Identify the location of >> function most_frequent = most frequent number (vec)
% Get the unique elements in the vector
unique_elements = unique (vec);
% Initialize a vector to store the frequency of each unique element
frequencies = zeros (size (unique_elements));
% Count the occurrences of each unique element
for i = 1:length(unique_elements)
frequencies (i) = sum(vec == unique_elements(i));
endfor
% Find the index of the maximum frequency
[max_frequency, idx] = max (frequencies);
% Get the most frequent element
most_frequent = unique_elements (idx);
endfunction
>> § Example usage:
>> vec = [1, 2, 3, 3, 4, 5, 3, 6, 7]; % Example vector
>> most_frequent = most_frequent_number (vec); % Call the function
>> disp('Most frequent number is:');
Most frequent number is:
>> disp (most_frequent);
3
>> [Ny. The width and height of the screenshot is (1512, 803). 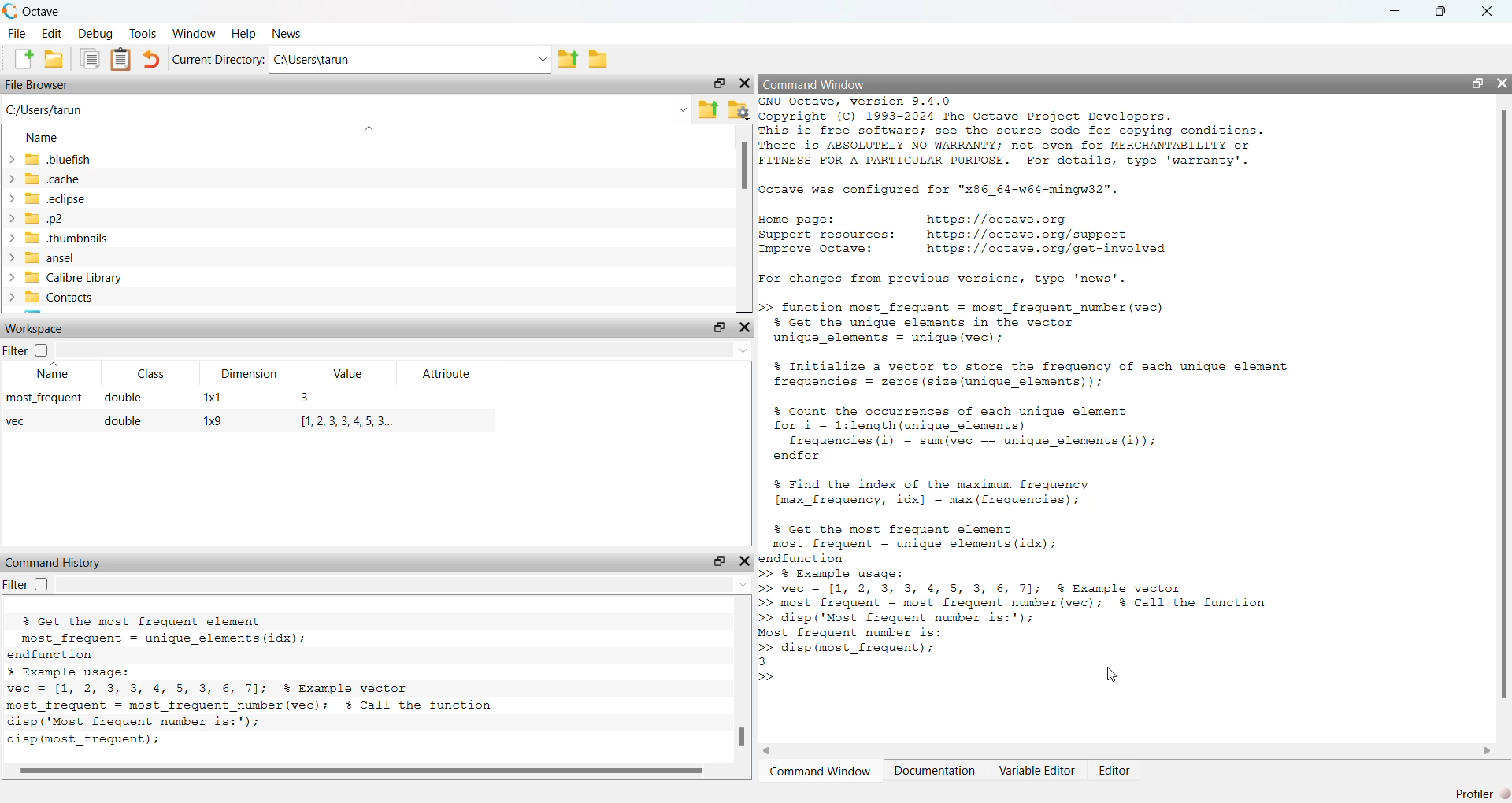
(1032, 493).